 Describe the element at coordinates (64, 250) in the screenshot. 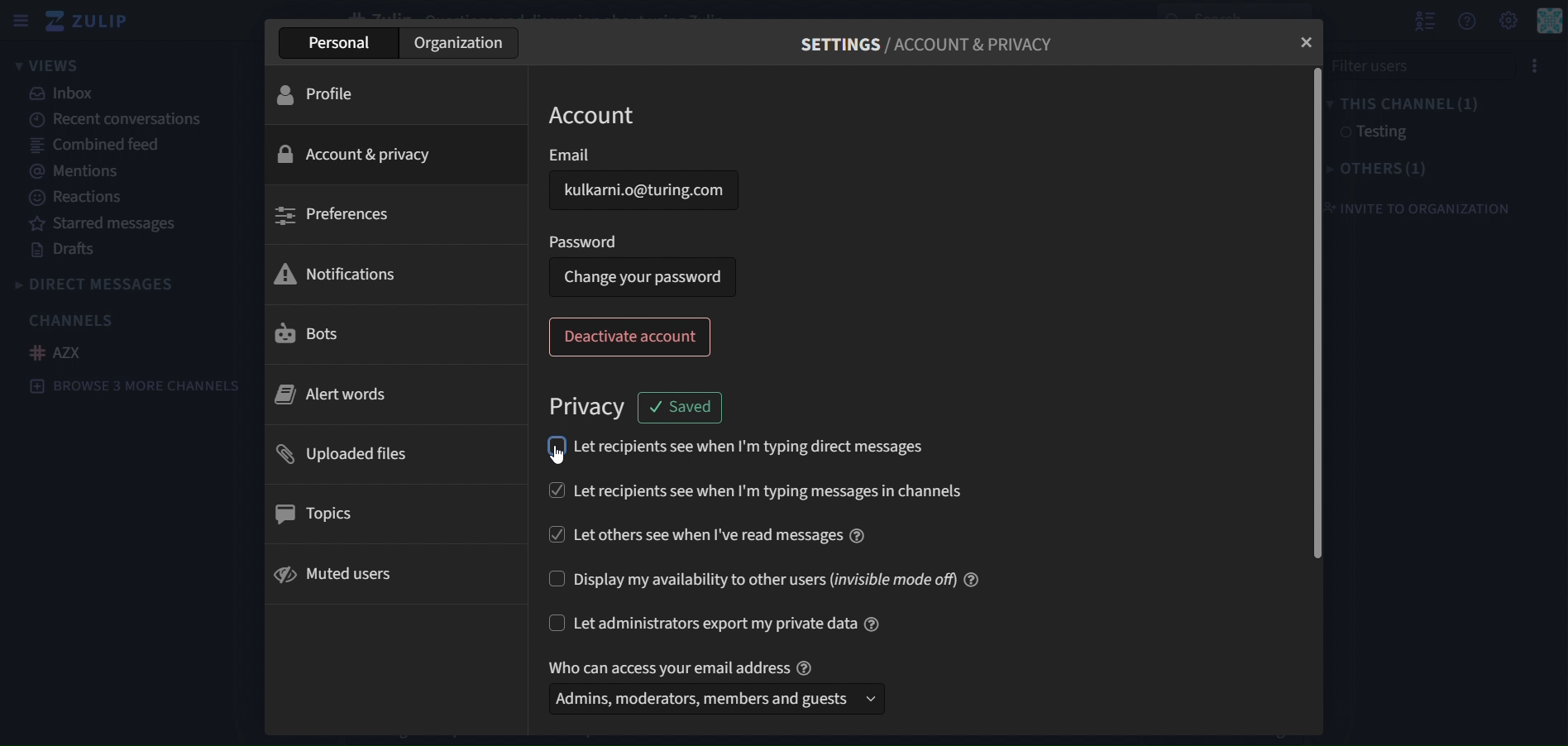

I see `drafts` at that location.